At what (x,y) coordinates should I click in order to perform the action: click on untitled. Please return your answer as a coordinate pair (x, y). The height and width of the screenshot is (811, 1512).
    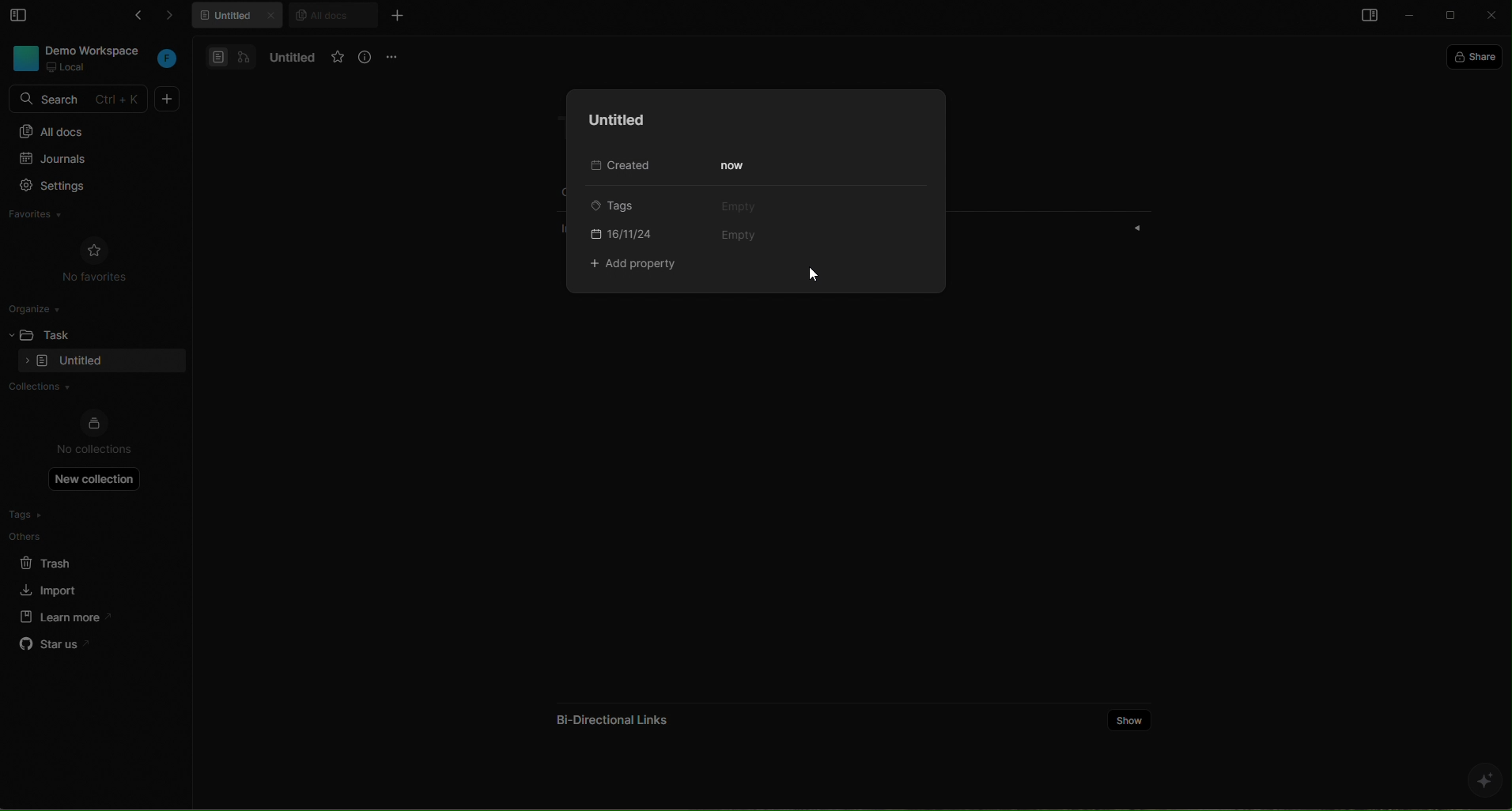
    Looking at the image, I should click on (289, 58).